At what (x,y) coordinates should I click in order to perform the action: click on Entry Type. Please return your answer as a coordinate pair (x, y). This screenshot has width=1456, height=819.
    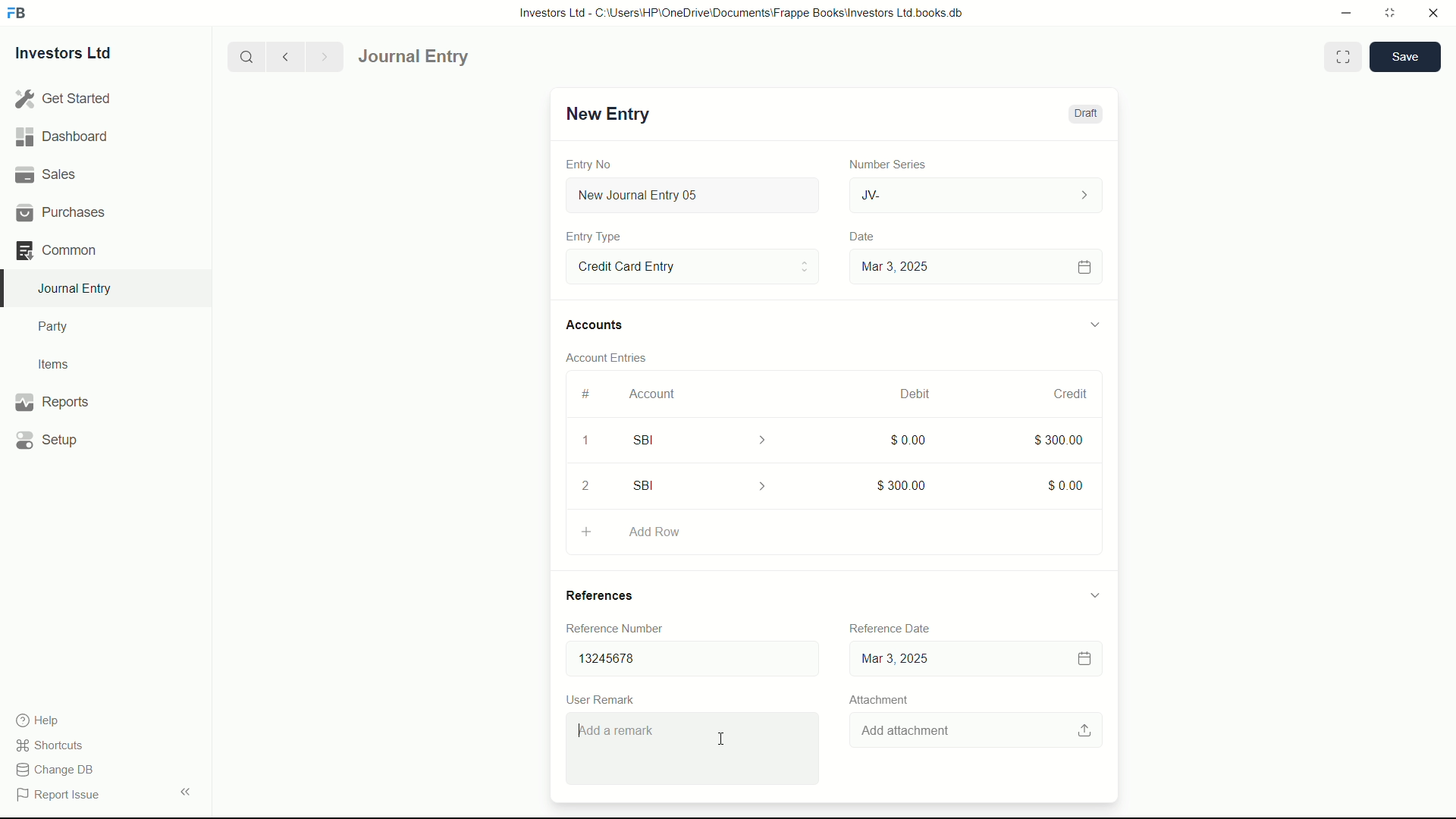
    Looking at the image, I should click on (691, 265).